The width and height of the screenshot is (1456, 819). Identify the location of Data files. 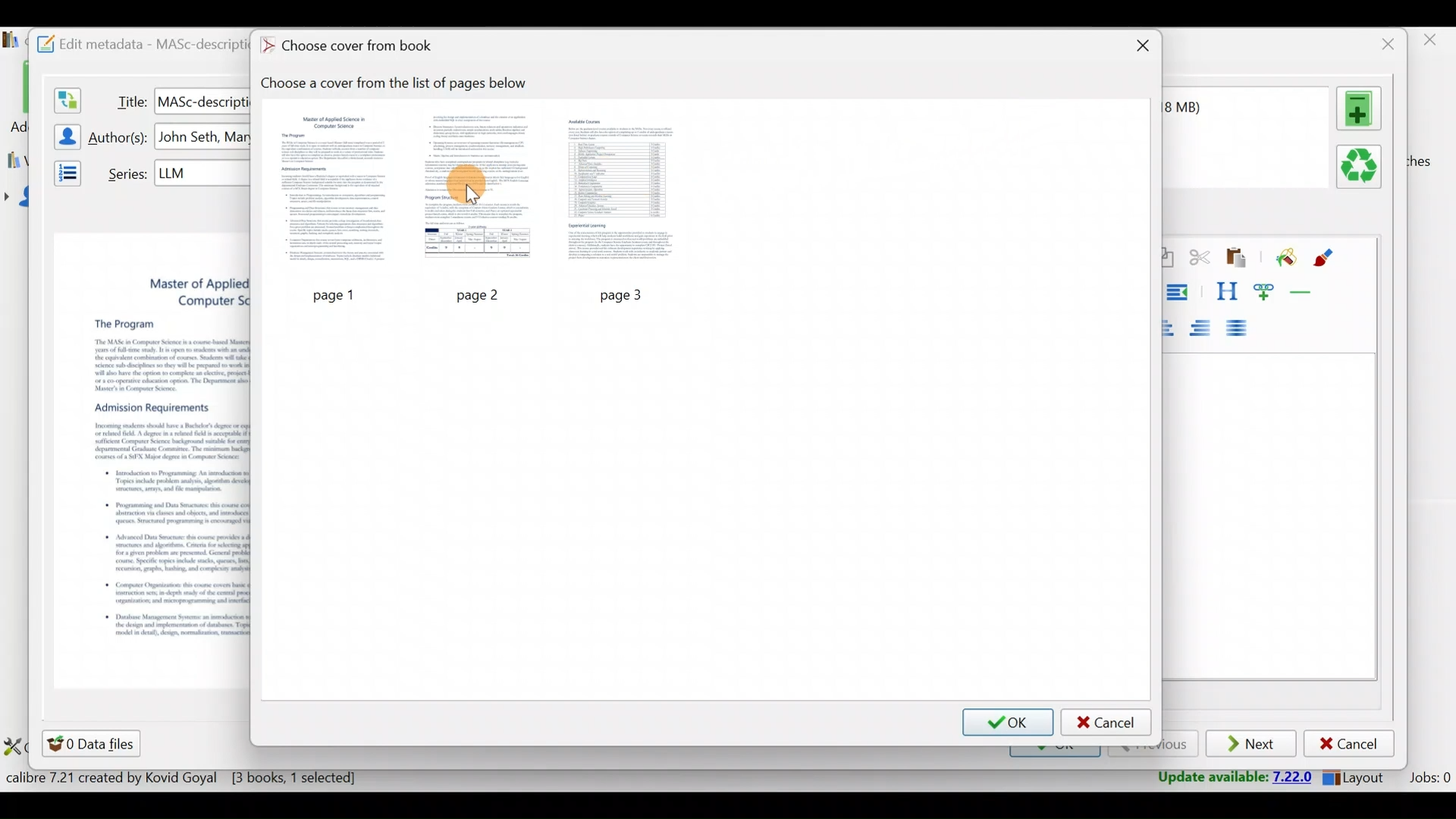
(94, 743).